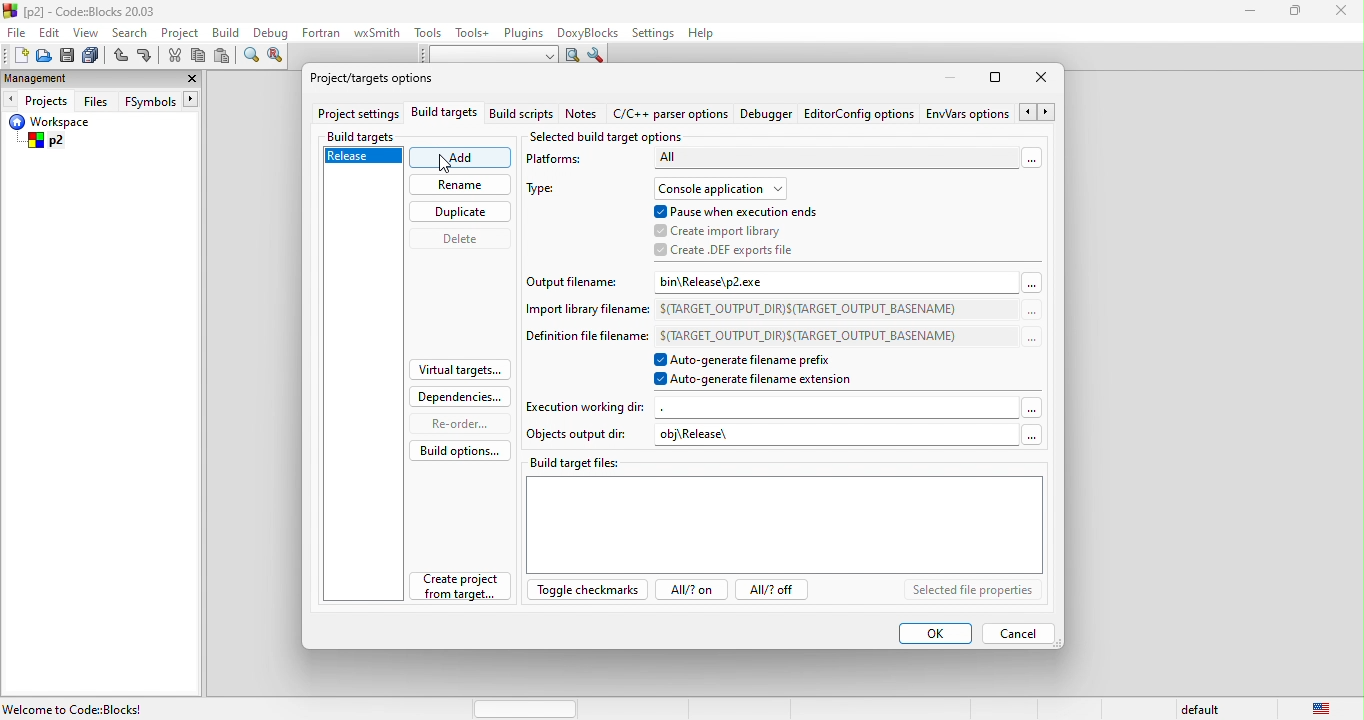  I want to click on maximize, so click(995, 77).